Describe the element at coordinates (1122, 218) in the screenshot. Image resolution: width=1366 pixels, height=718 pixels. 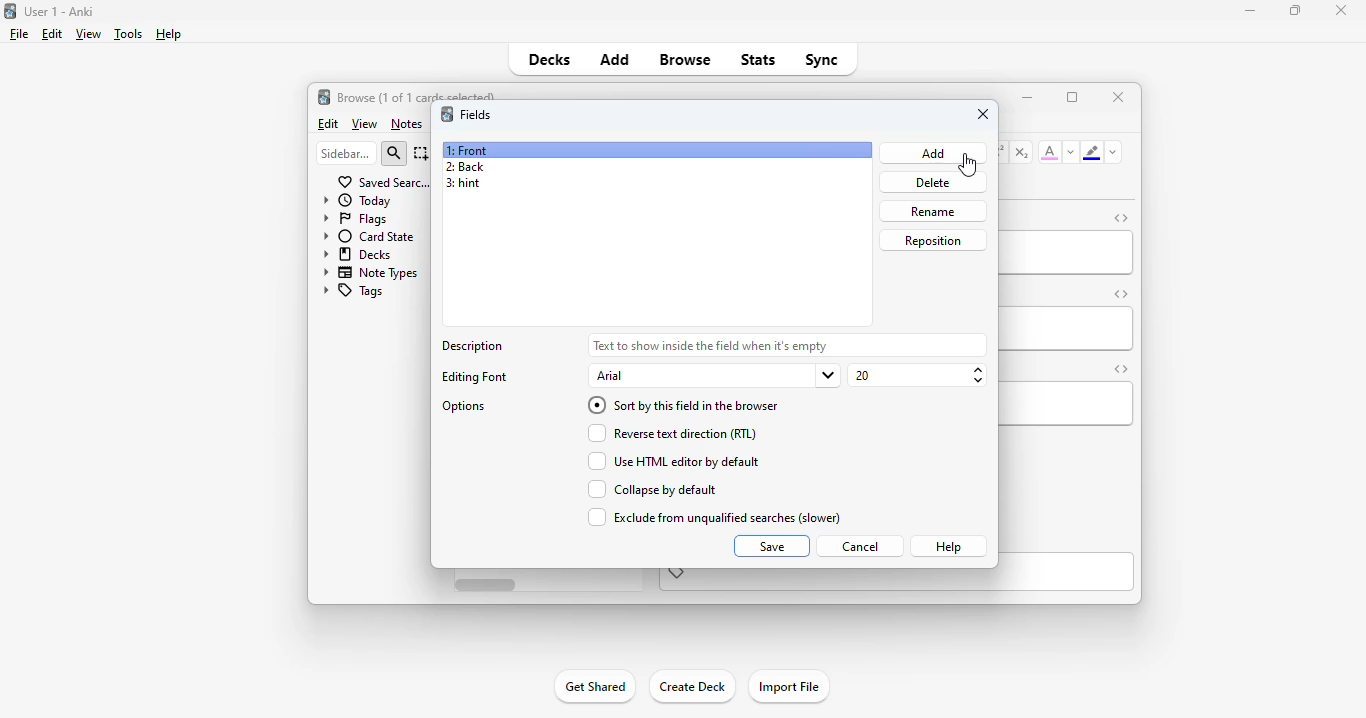
I see `toggle HTML editor` at that location.